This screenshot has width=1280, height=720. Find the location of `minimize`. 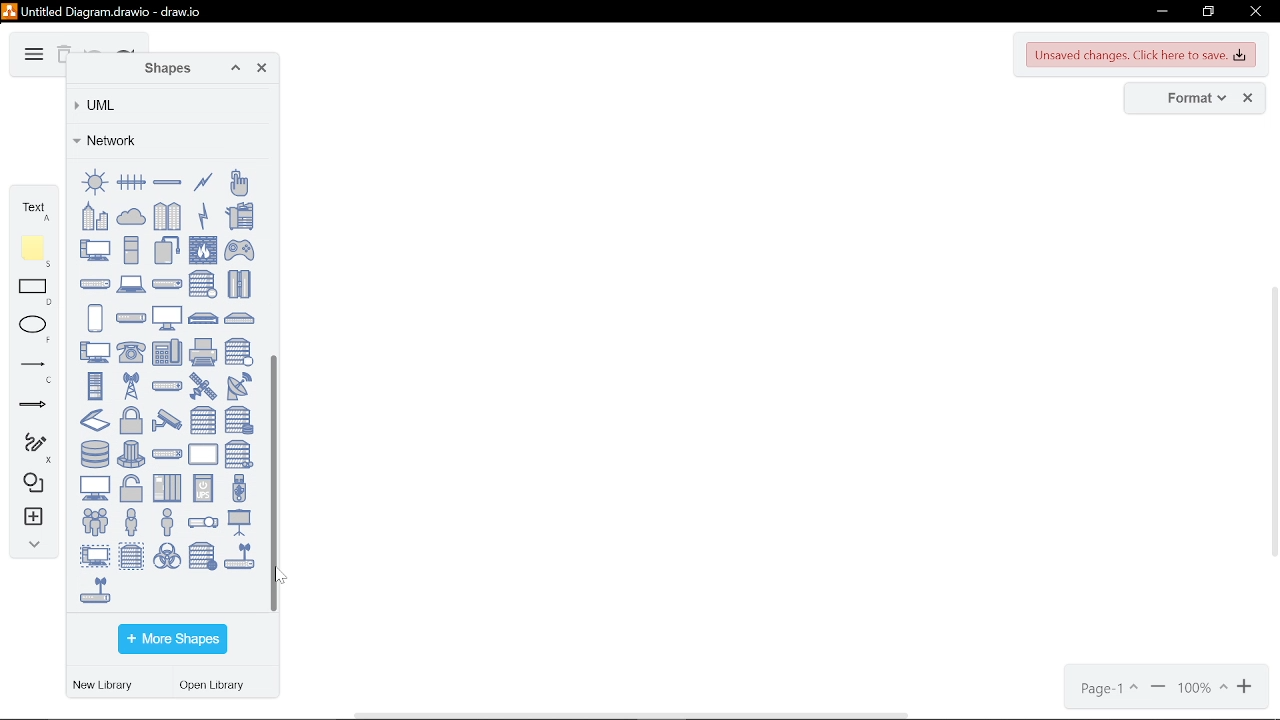

minimize is located at coordinates (1160, 12).